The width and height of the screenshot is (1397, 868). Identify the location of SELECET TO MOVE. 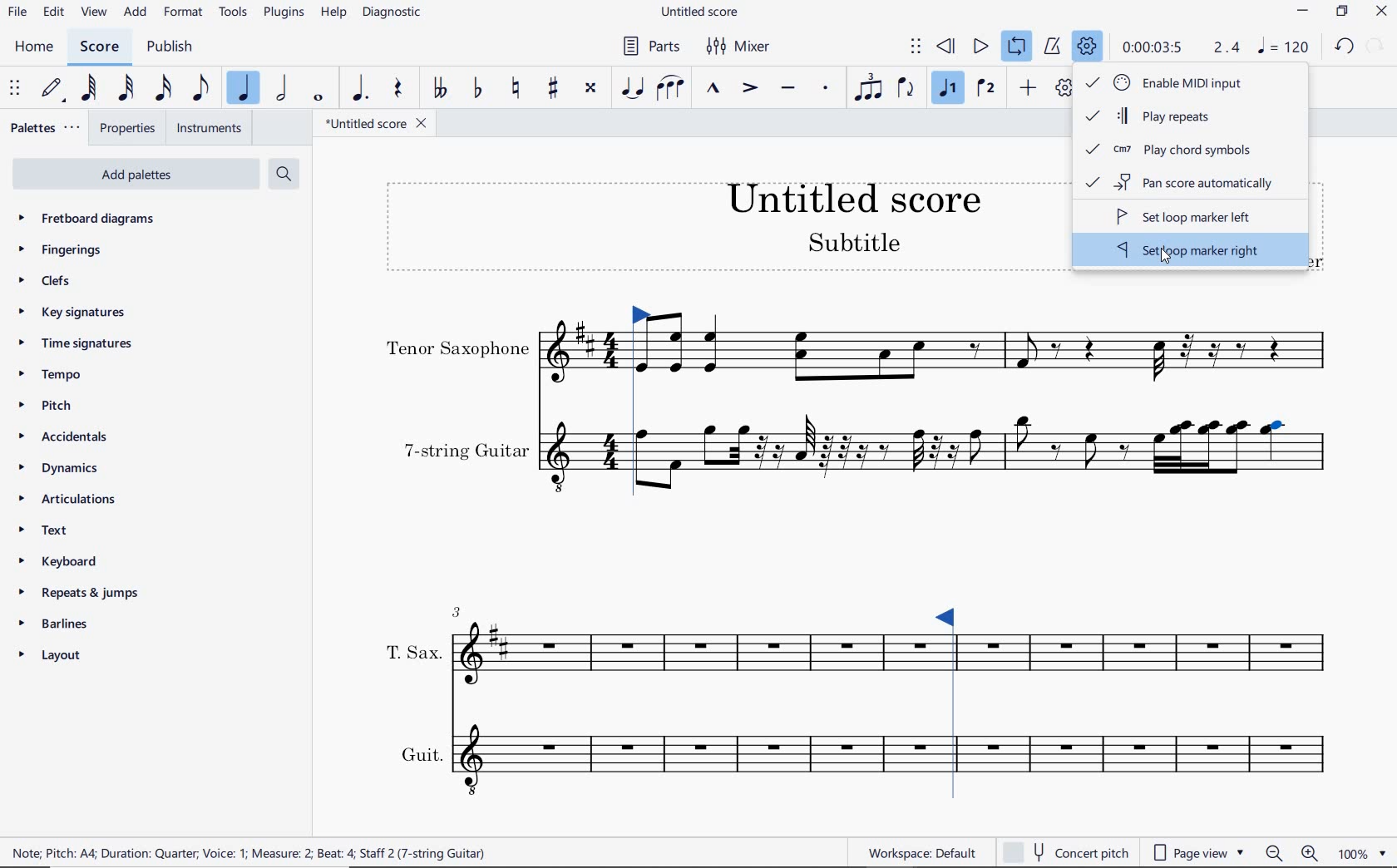
(14, 89).